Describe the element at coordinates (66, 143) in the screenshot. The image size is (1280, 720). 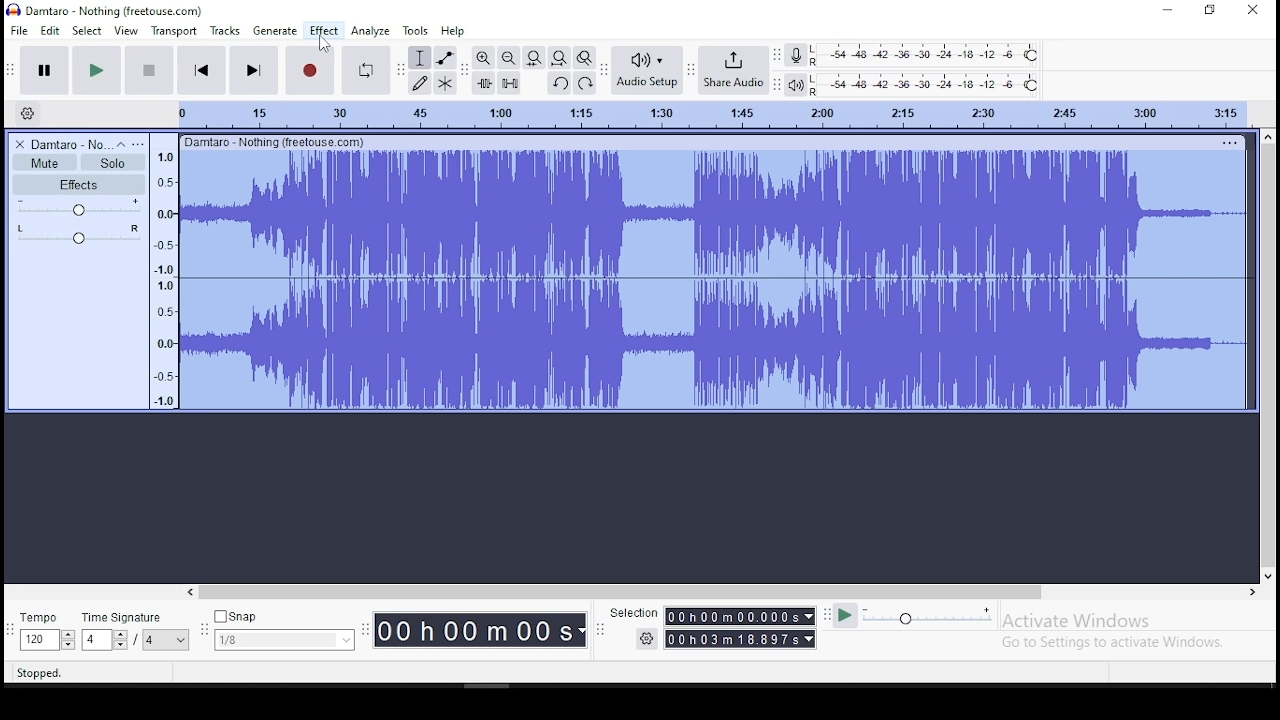
I see `audio track name` at that location.